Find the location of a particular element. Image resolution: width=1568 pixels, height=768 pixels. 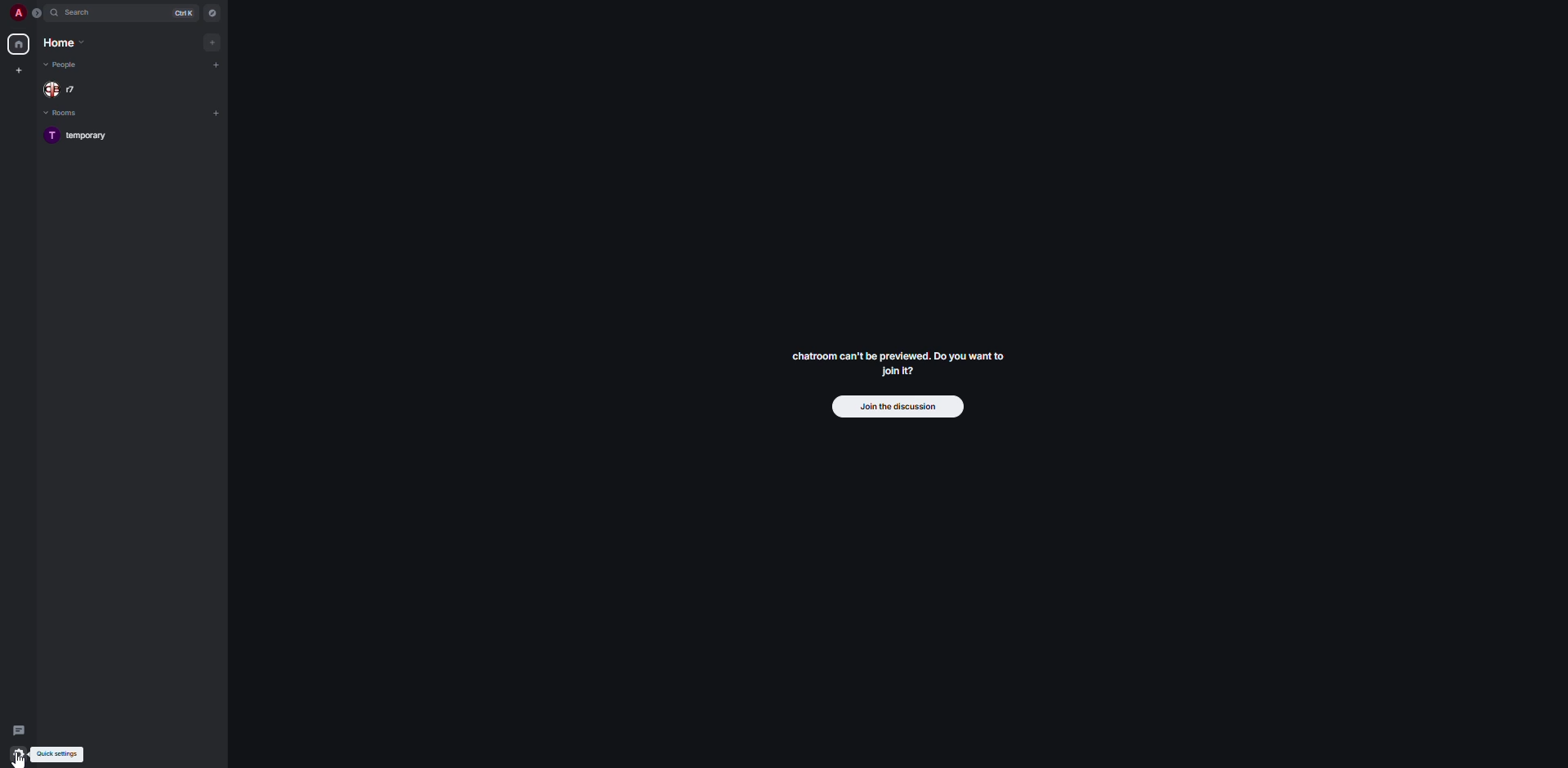

cursor is located at coordinates (21, 761).